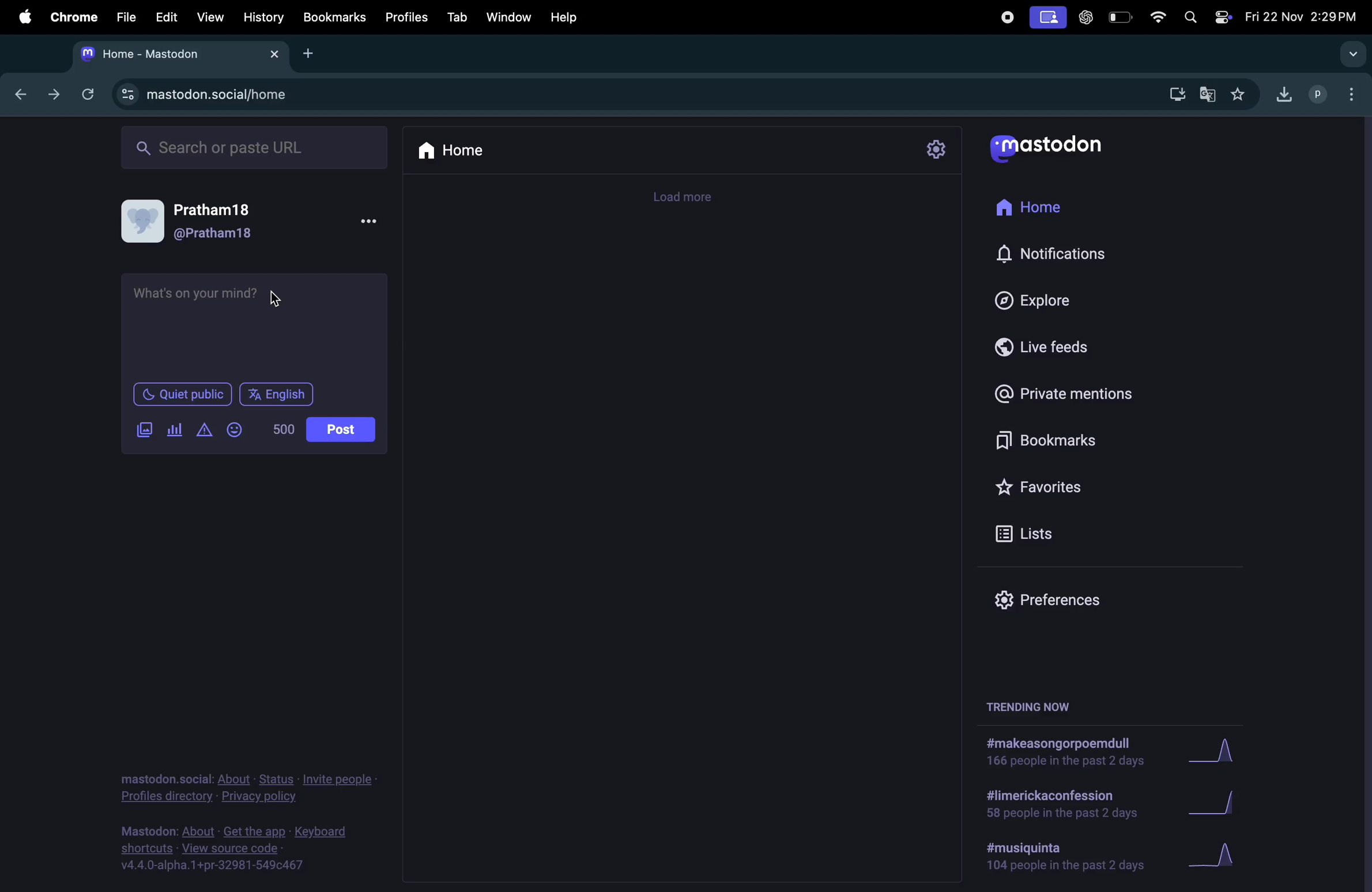 This screenshot has height=892, width=1372. Describe the element at coordinates (1068, 860) in the screenshot. I see `hashtags` at that location.